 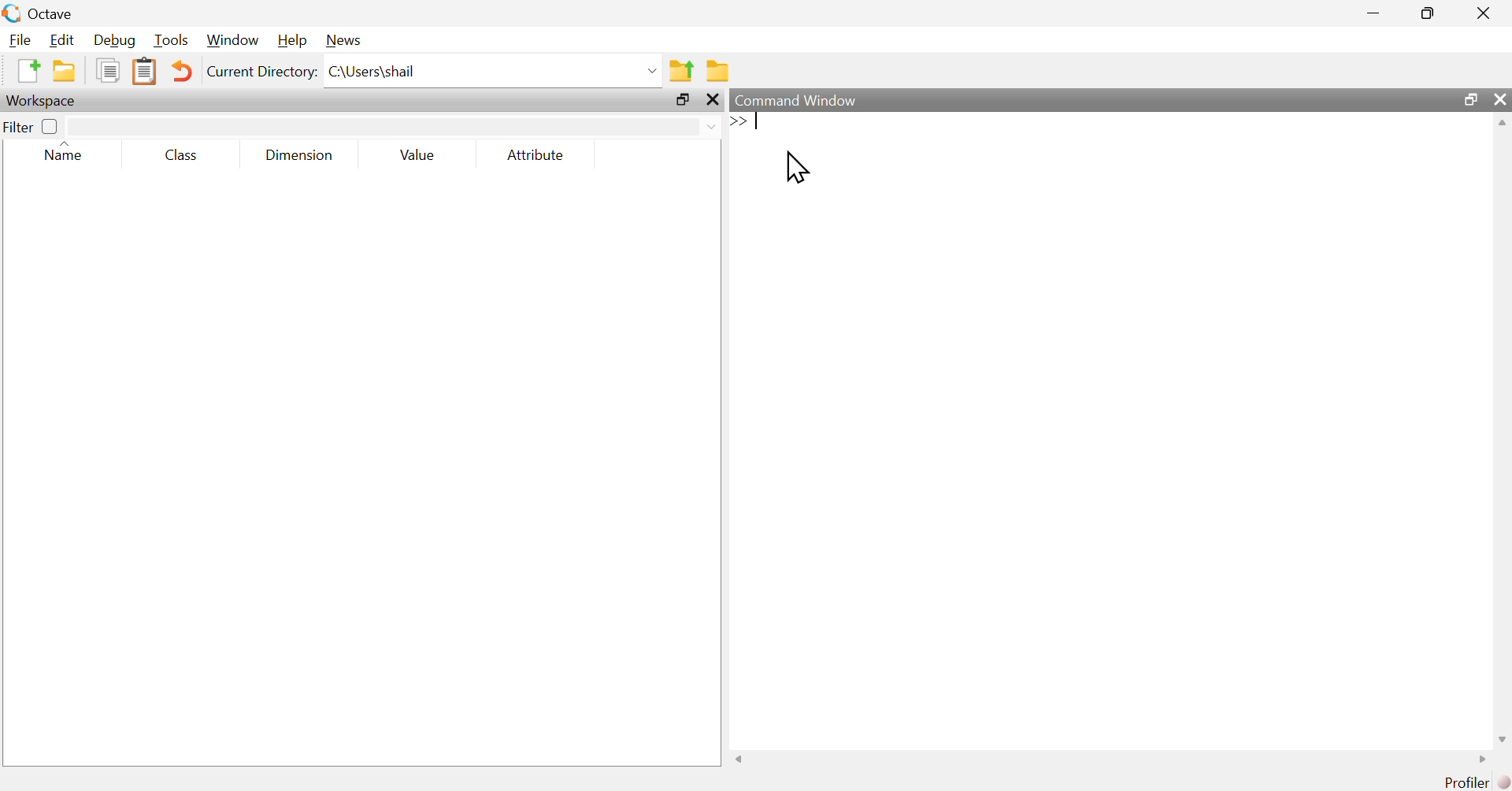 I want to click on cursor, so click(x=802, y=171).